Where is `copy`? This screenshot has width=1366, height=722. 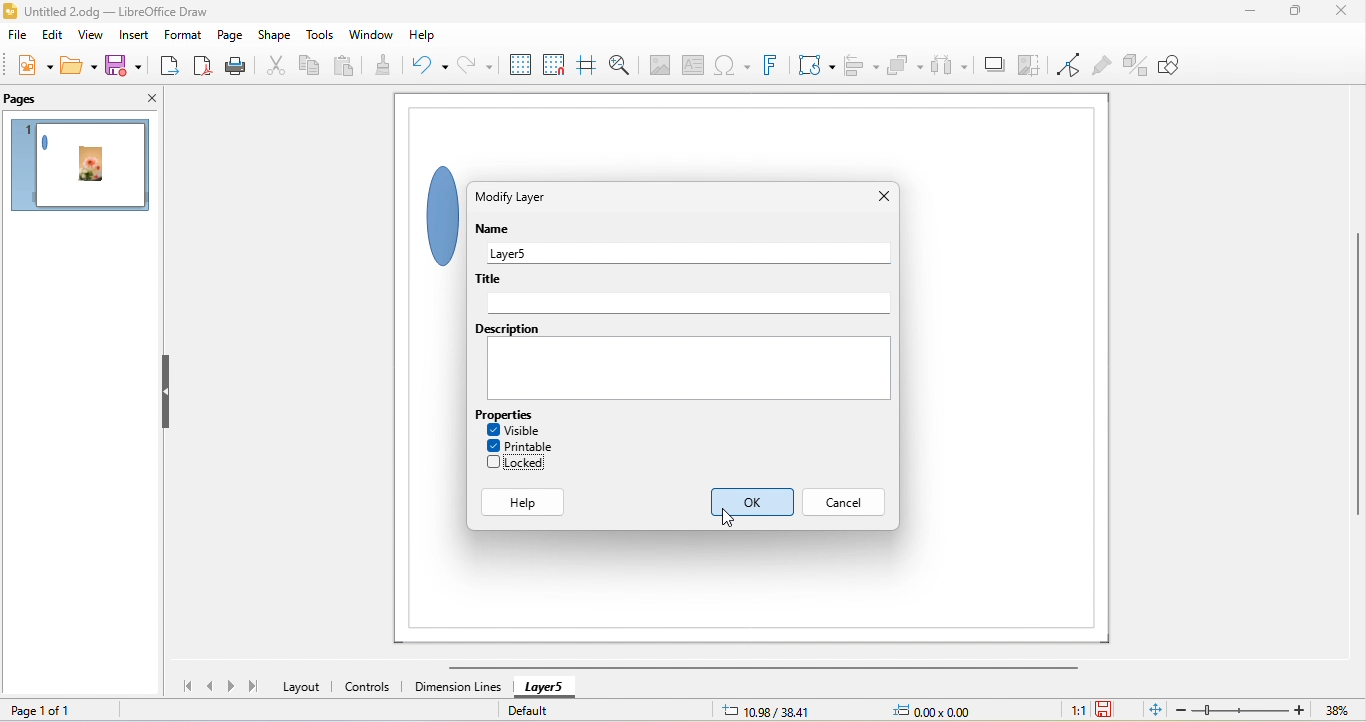
copy is located at coordinates (311, 67).